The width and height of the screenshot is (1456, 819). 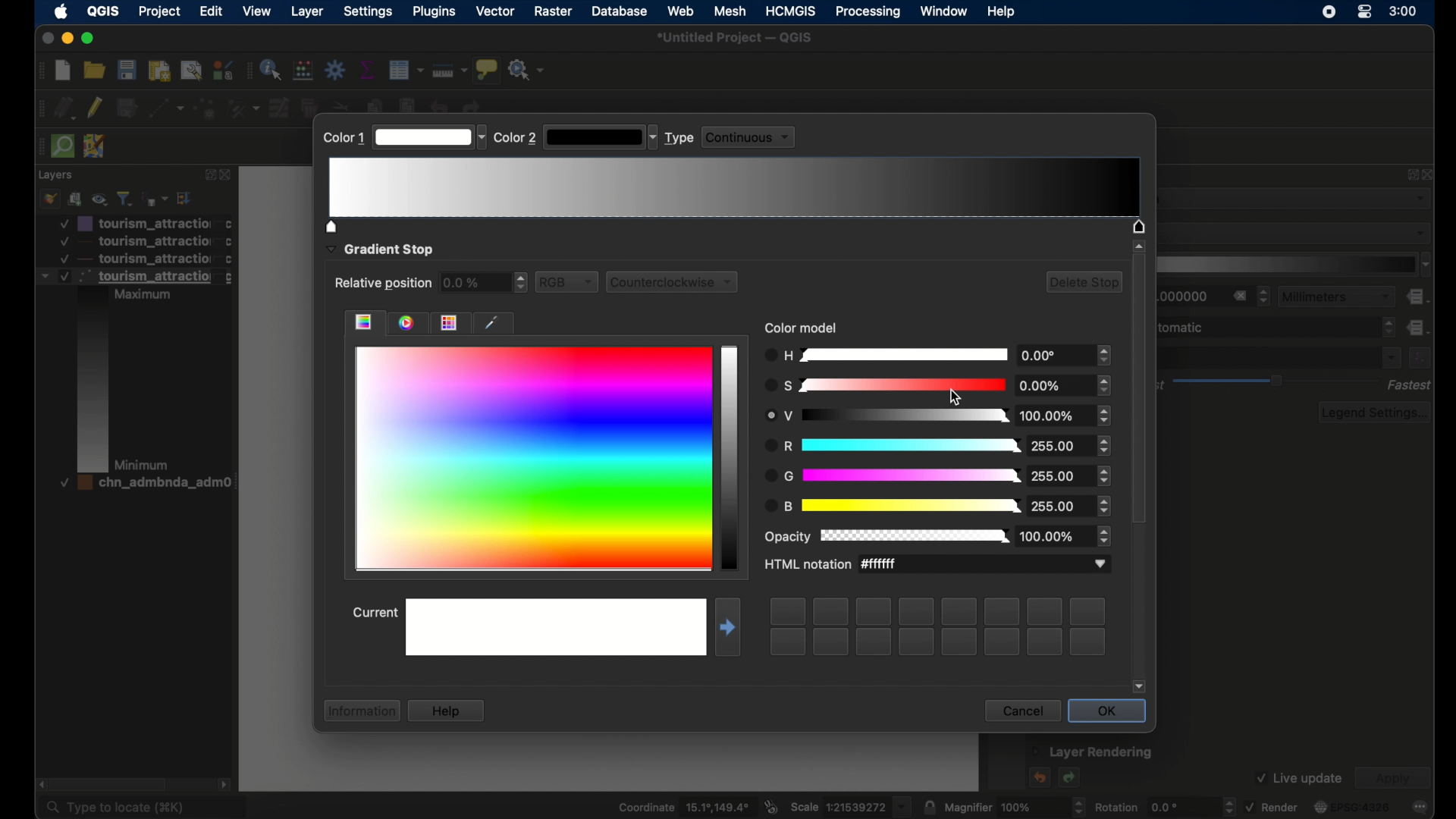 I want to click on save edits, so click(x=127, y=108).